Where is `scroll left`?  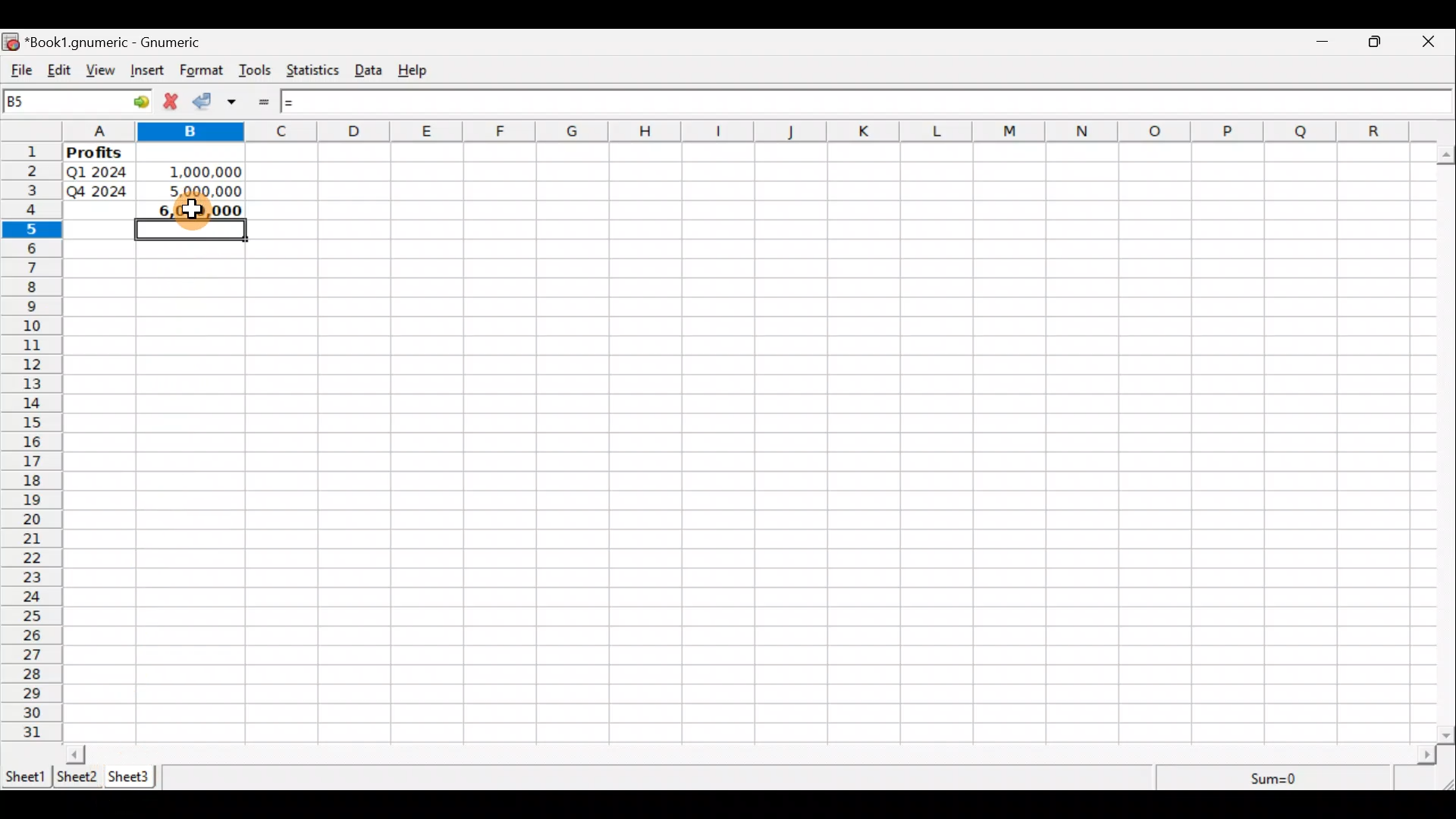 scroll left is located at coordinates (76, 754).